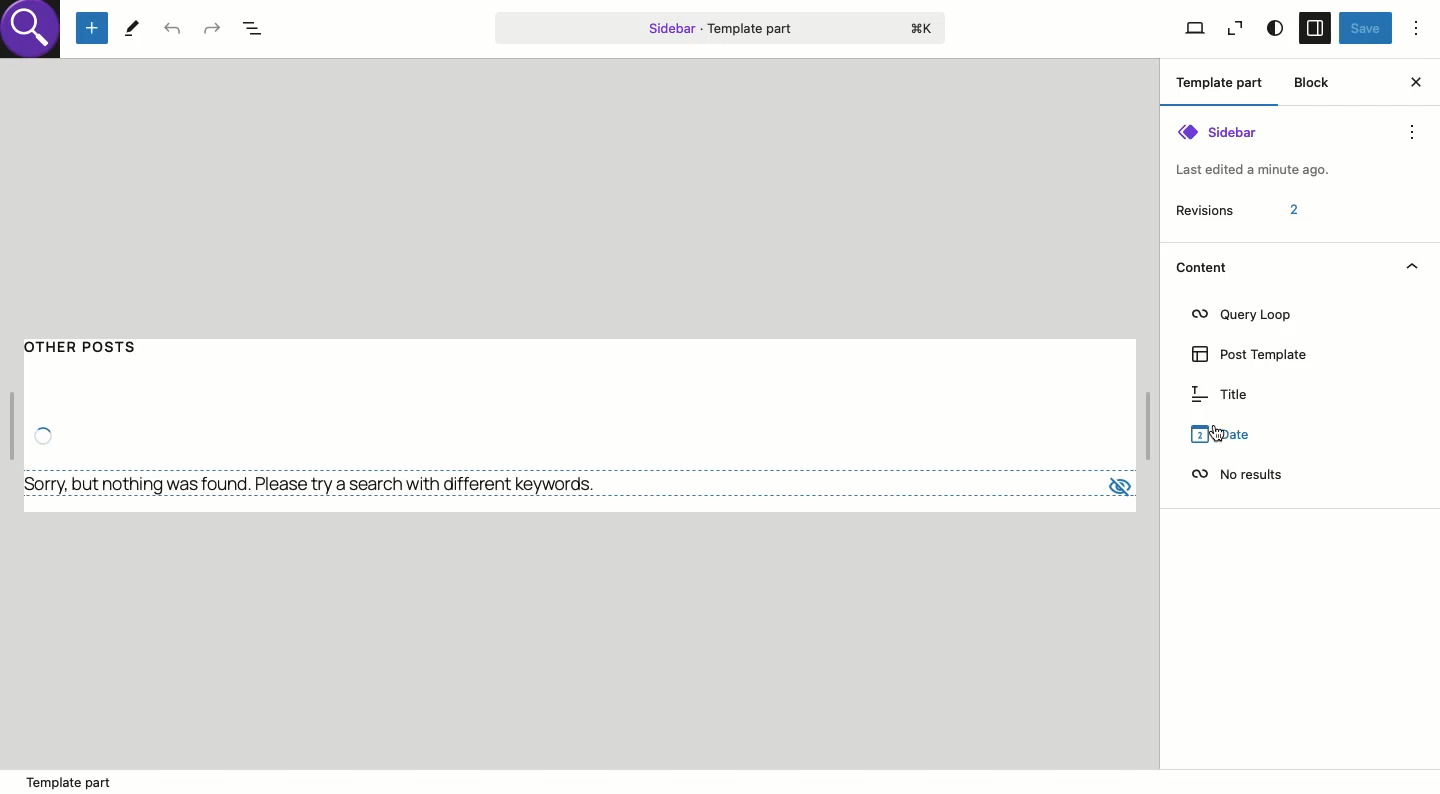  I want to click on Other posts, so click(101, 355).